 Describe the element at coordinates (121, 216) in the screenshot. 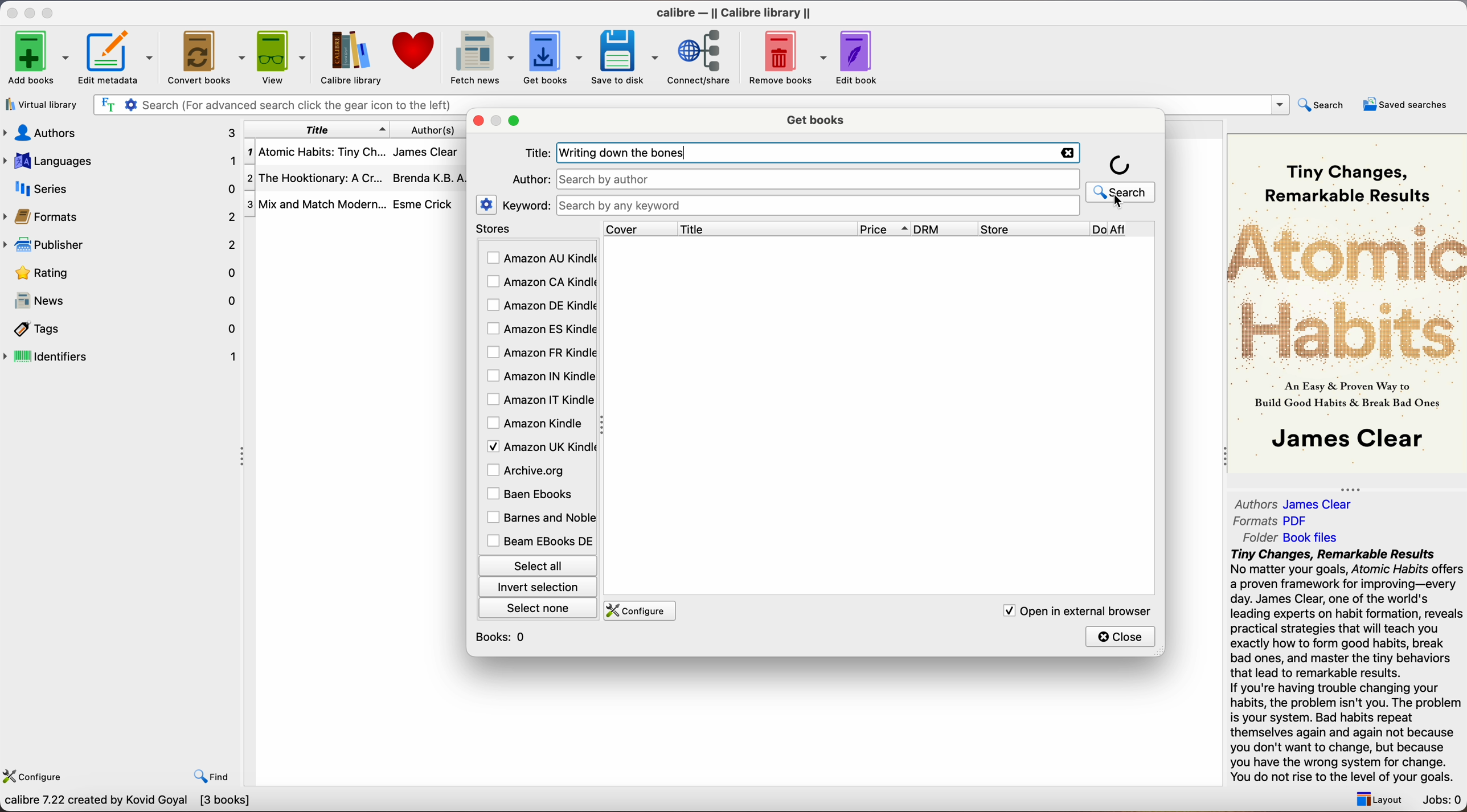

I see `formats` at that location.